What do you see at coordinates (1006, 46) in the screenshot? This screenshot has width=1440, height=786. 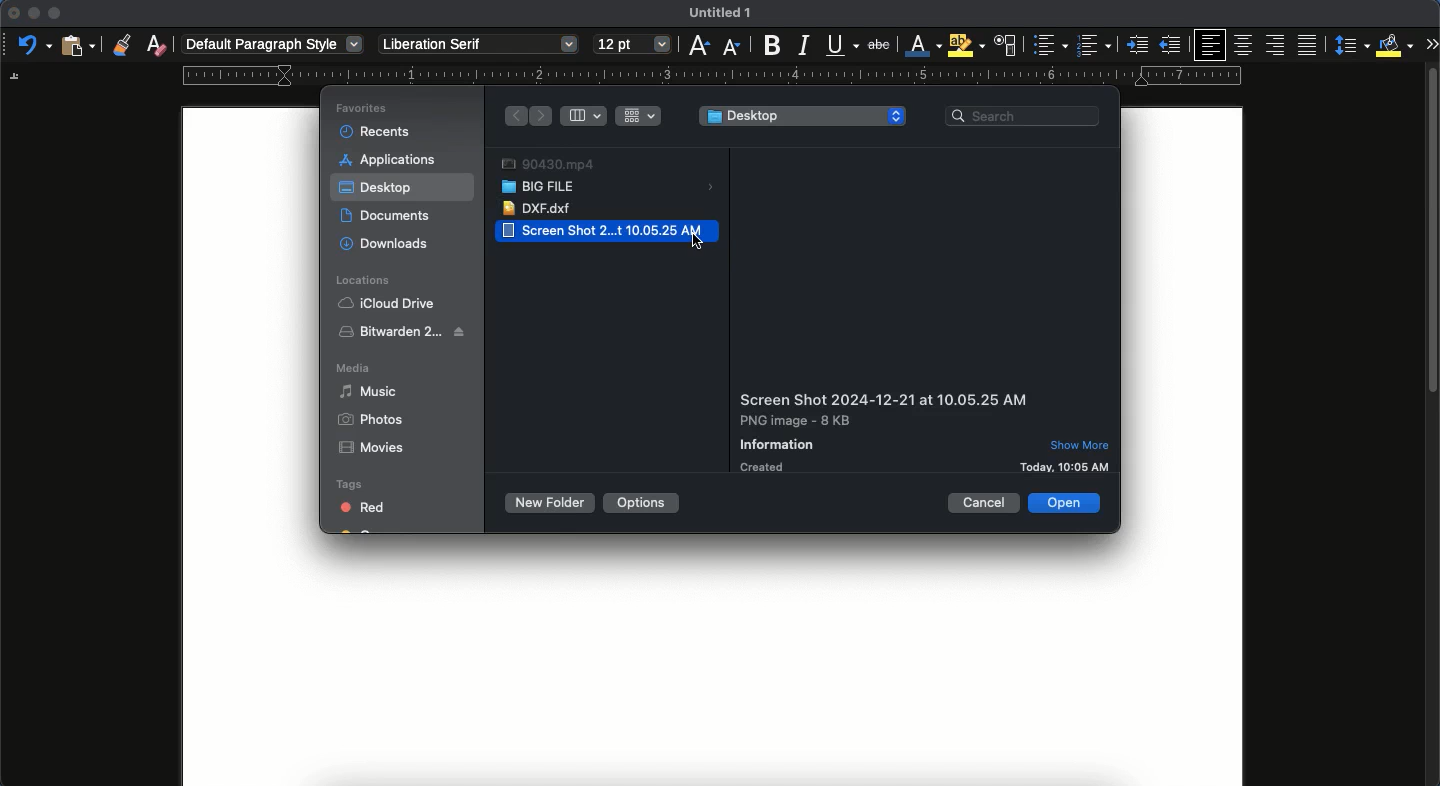 I see `character` at bounding box center [1006, 46].